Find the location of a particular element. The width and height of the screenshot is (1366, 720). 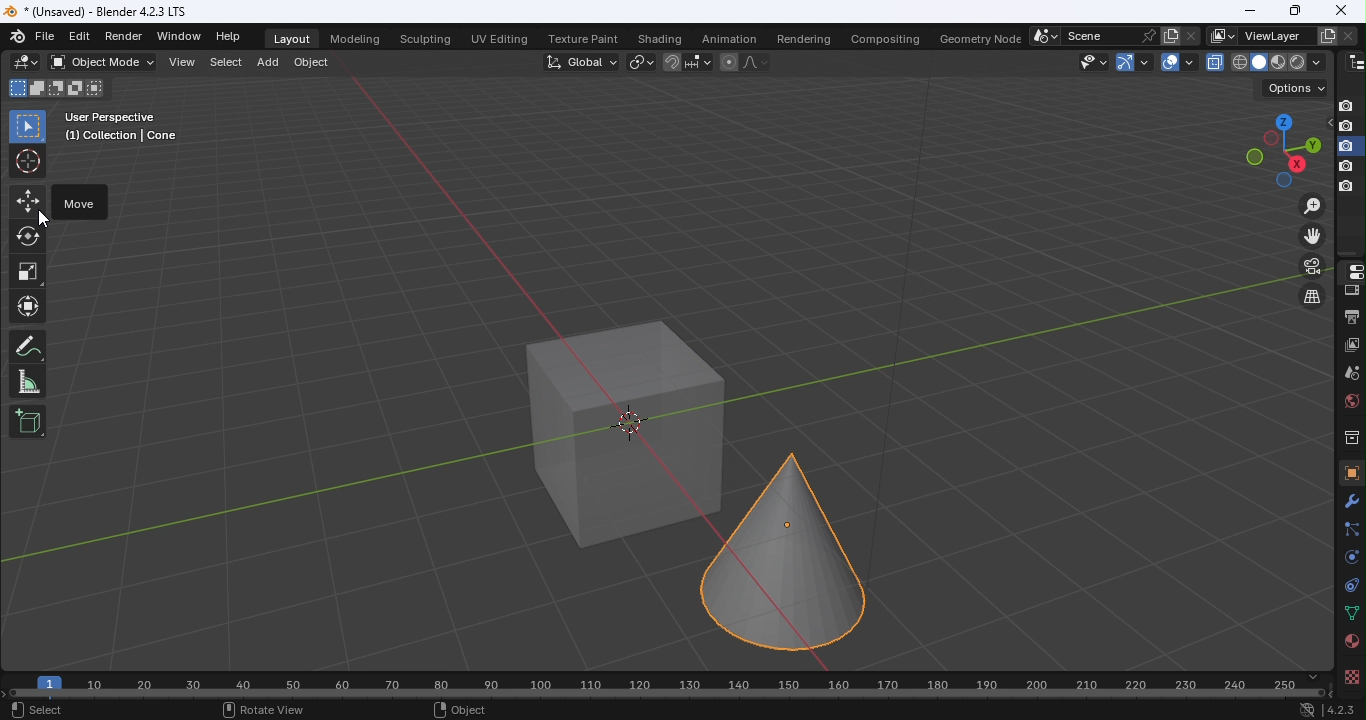

Physics is located at coordinates (1349, 556).